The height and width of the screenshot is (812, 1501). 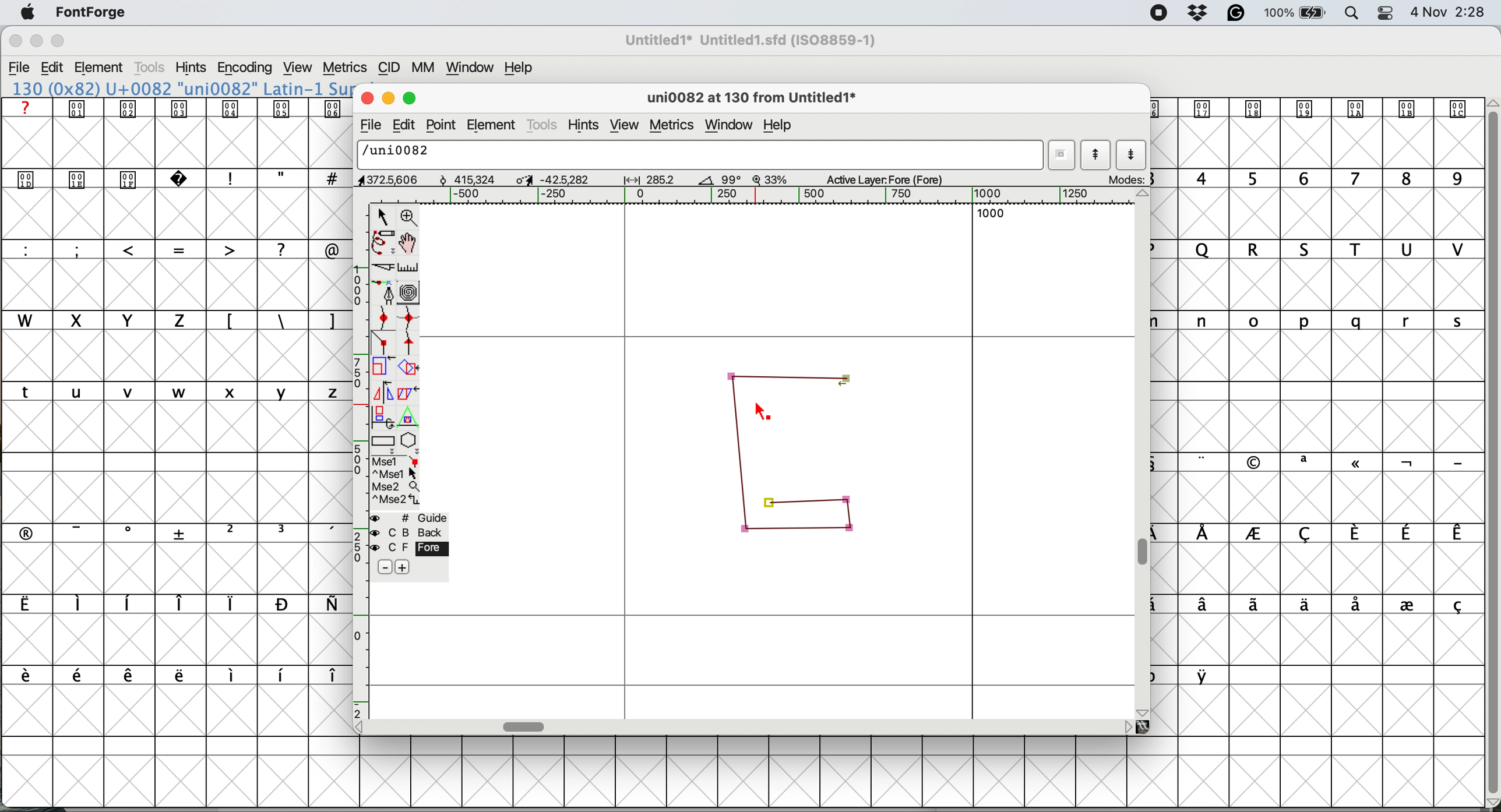 What do you see at coordinates (410, 518) in the screenshot?
I see `guide` at bounding box center [410, 518].